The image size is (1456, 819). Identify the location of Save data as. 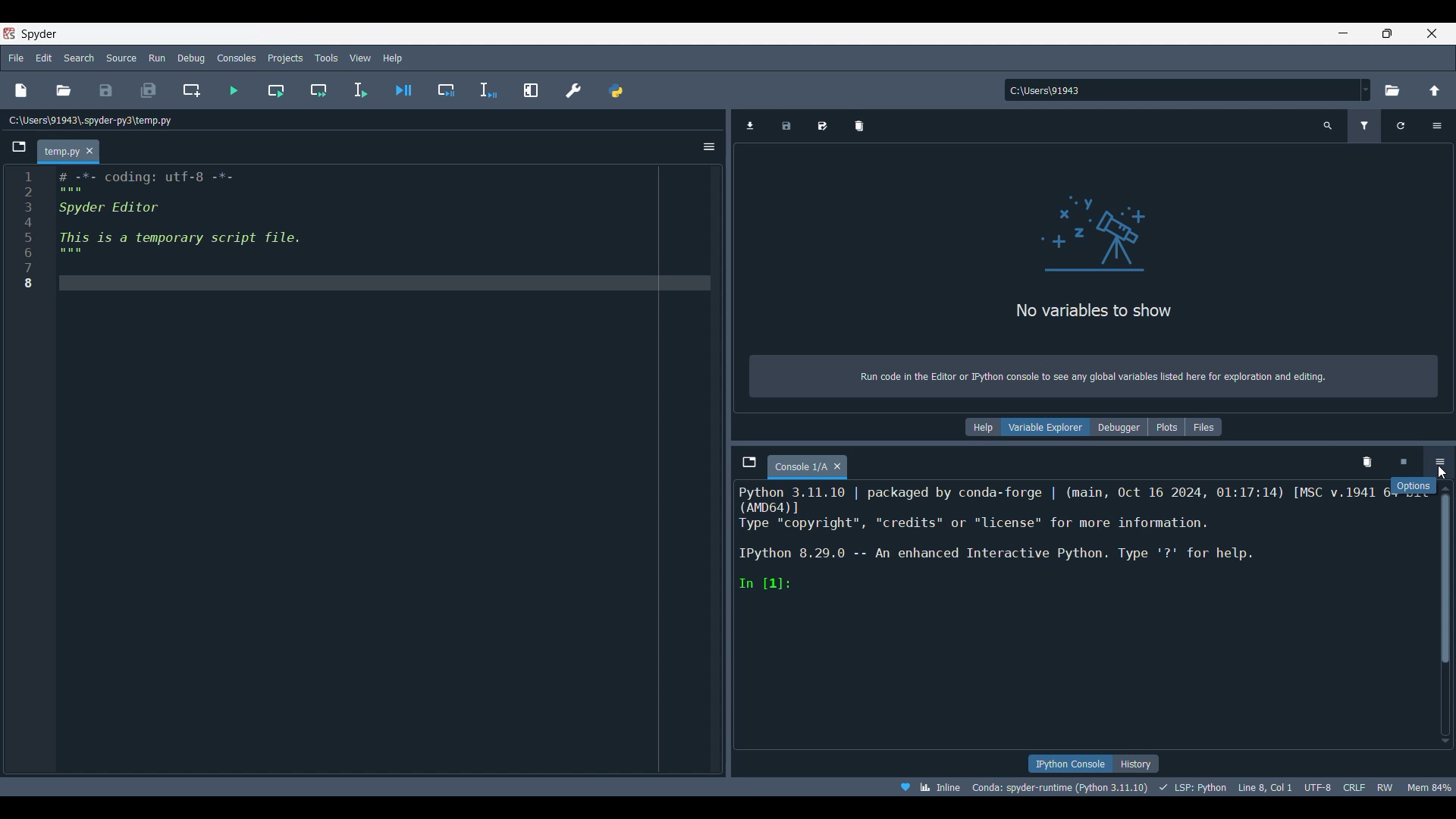
(821, 126).